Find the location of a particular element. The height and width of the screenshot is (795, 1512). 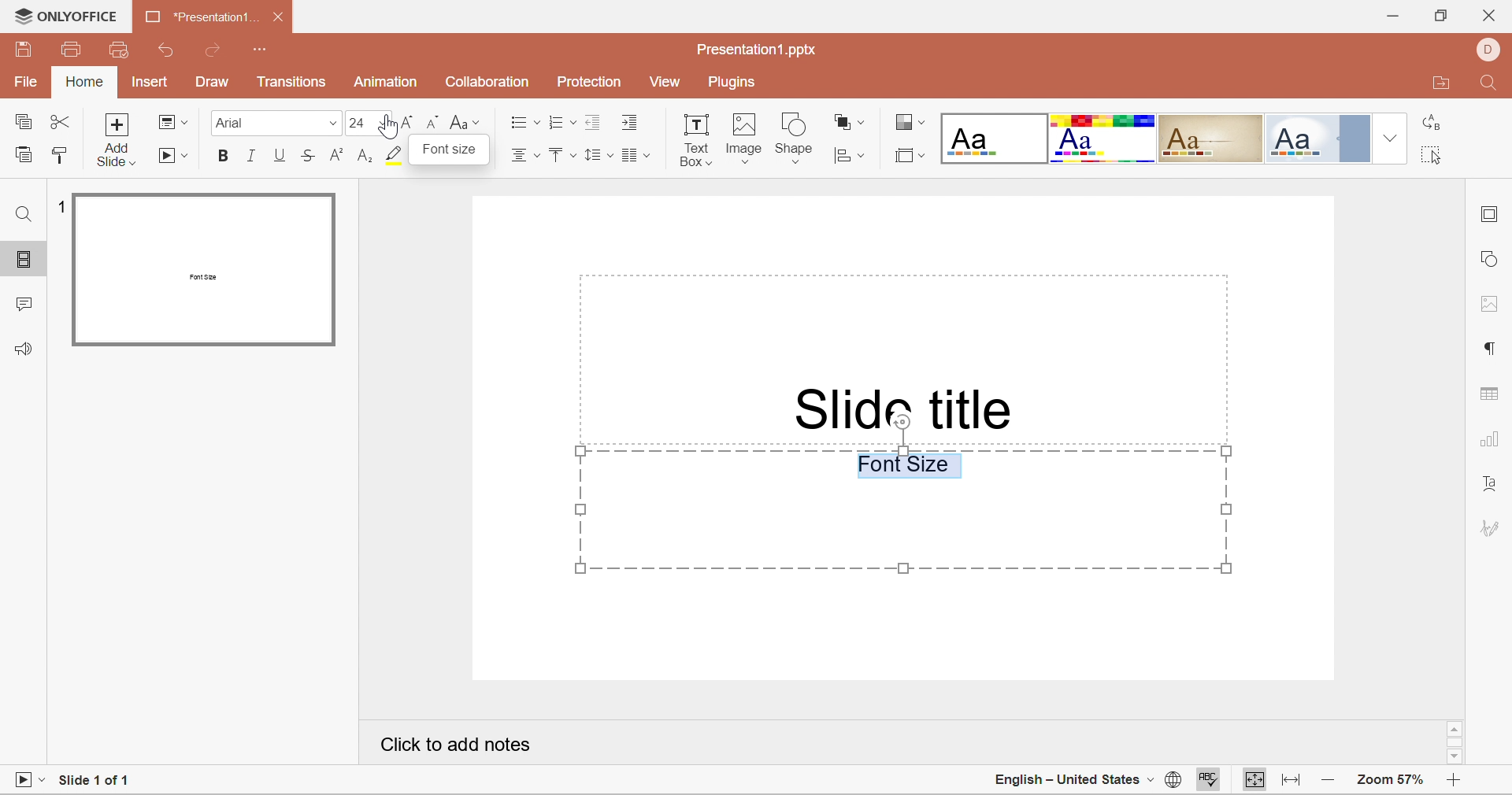

24 is located at coordinates (357, 124).